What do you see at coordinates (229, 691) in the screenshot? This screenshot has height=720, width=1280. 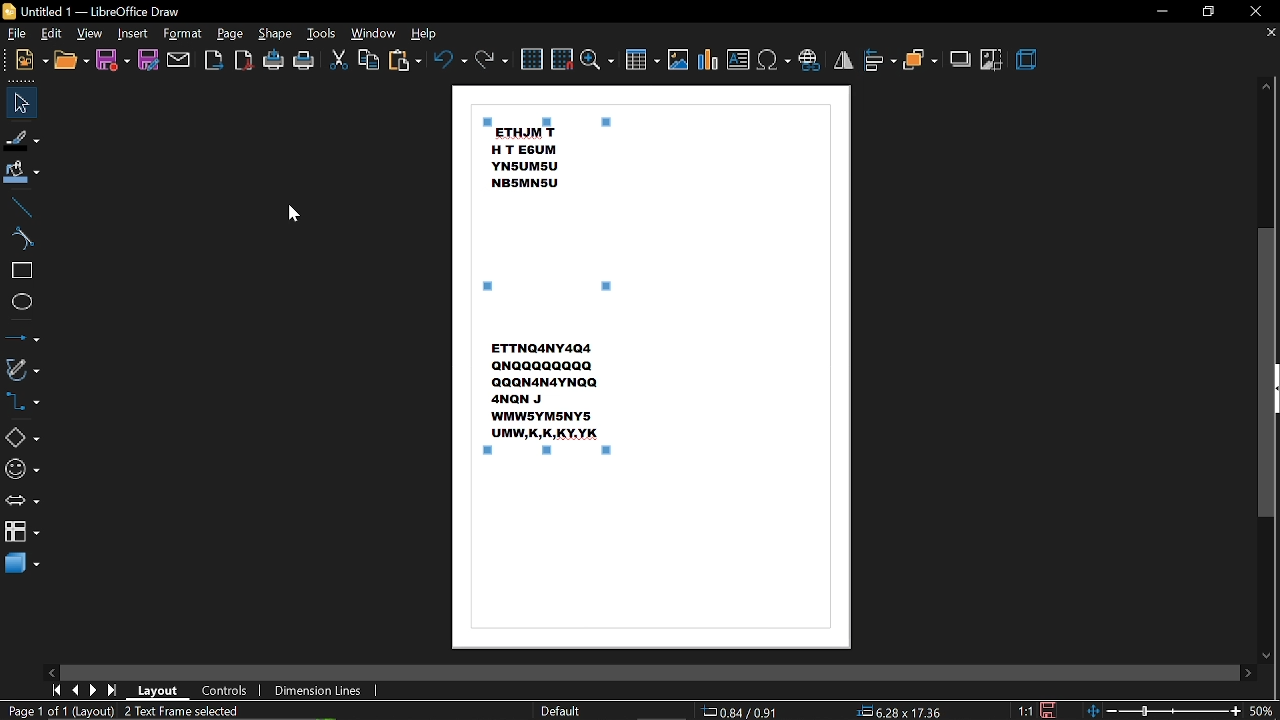 I see `controls` at bounding box center [229, 691].